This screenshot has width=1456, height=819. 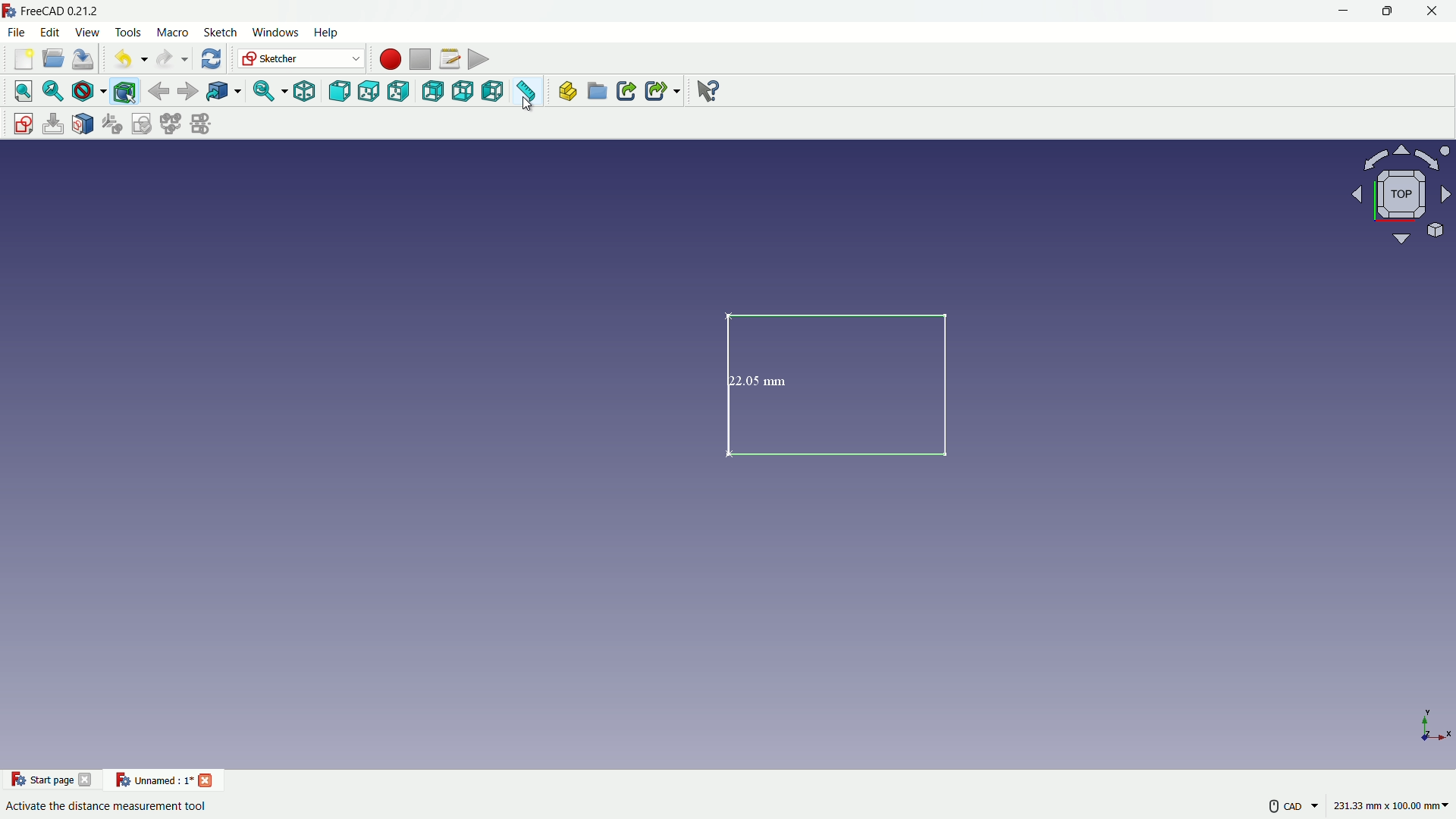 What do you see at coordinates (19, 122) in the screenshot?
I see `create sketch` at bounding box center [19, 122].